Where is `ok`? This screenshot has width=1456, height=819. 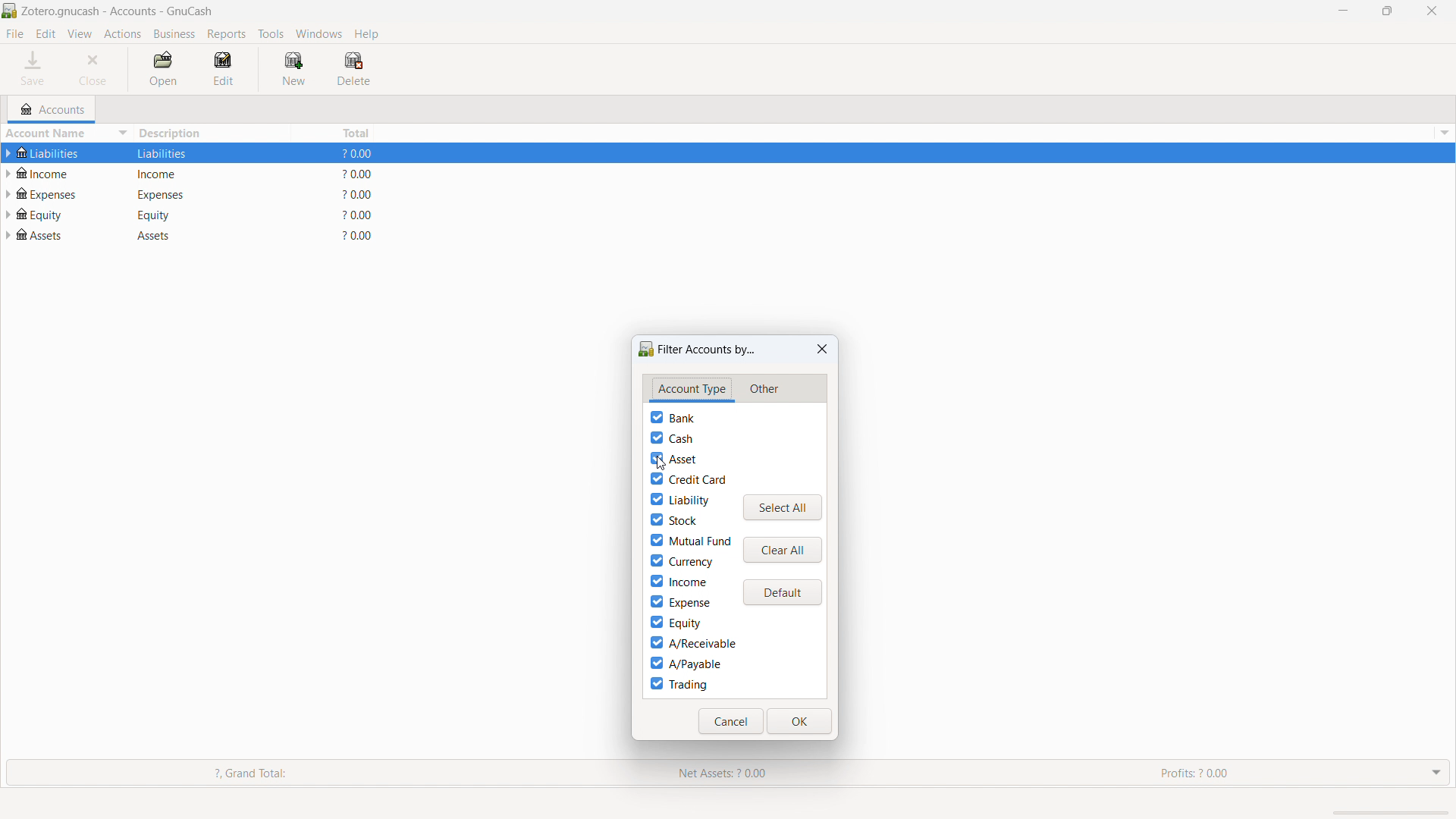 ok is located at coordinates (800, 721).